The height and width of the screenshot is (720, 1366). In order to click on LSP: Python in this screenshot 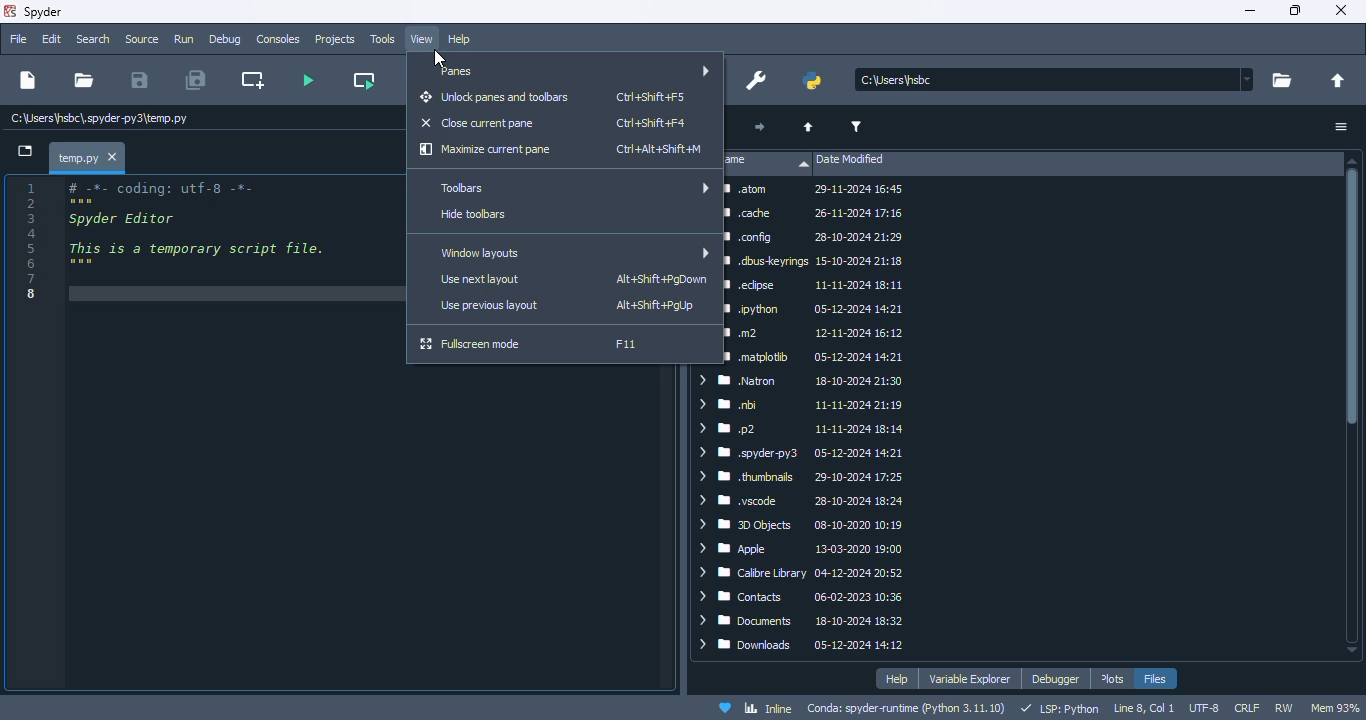, I will do `click(1060, 710)`.